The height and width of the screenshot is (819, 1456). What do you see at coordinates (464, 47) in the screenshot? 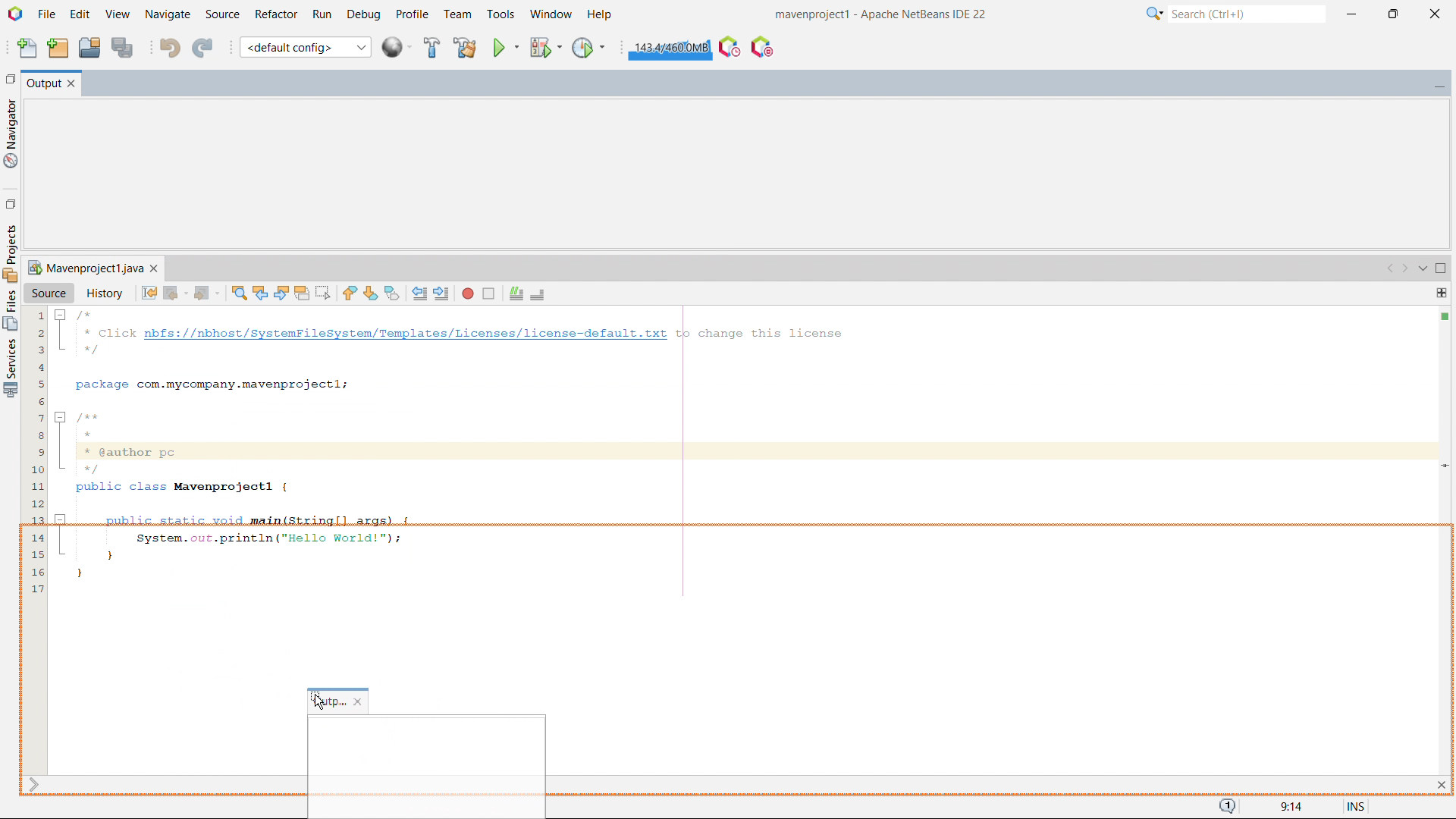
I see `clean and build project` at bounding box center [464, 47].